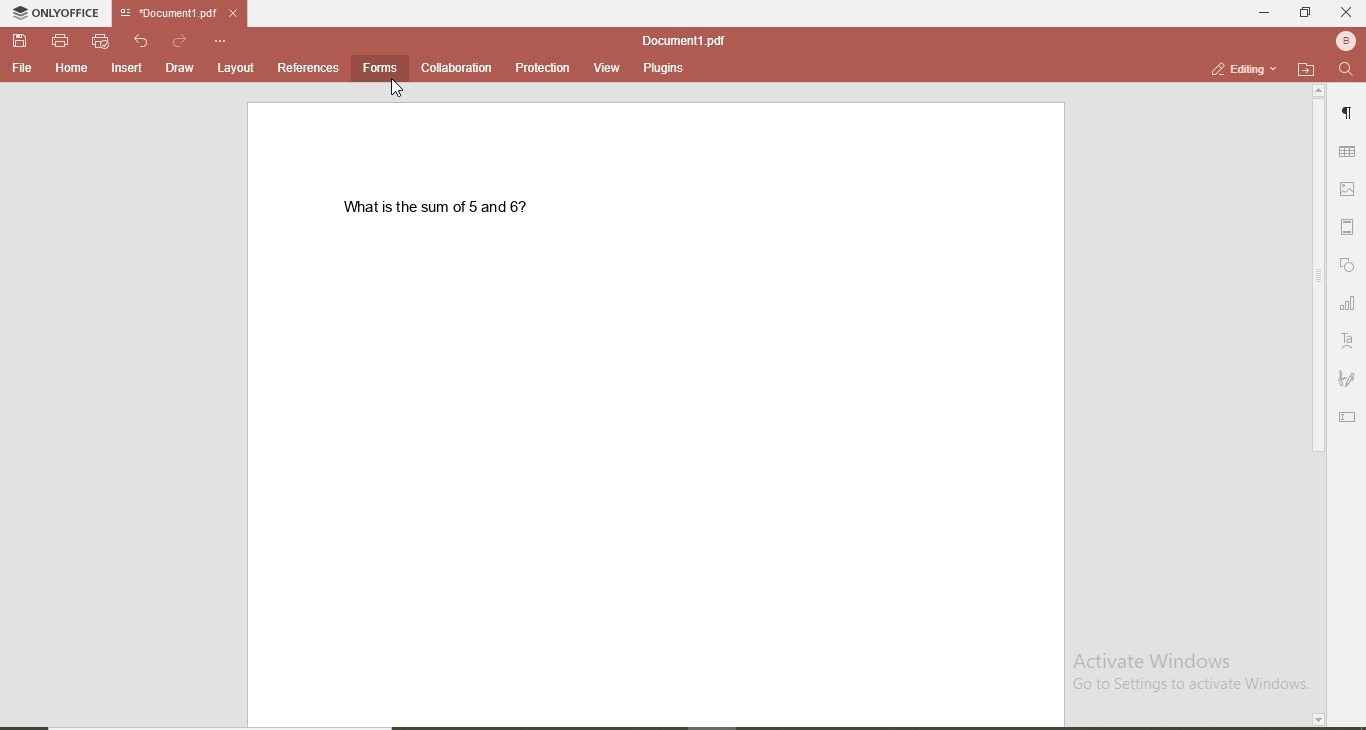 This screenshot has height=730, width=1366. What do you see at coordinates (1318, 90) in the screenshot?
I see `page up` at bounding box center [1318, 90].